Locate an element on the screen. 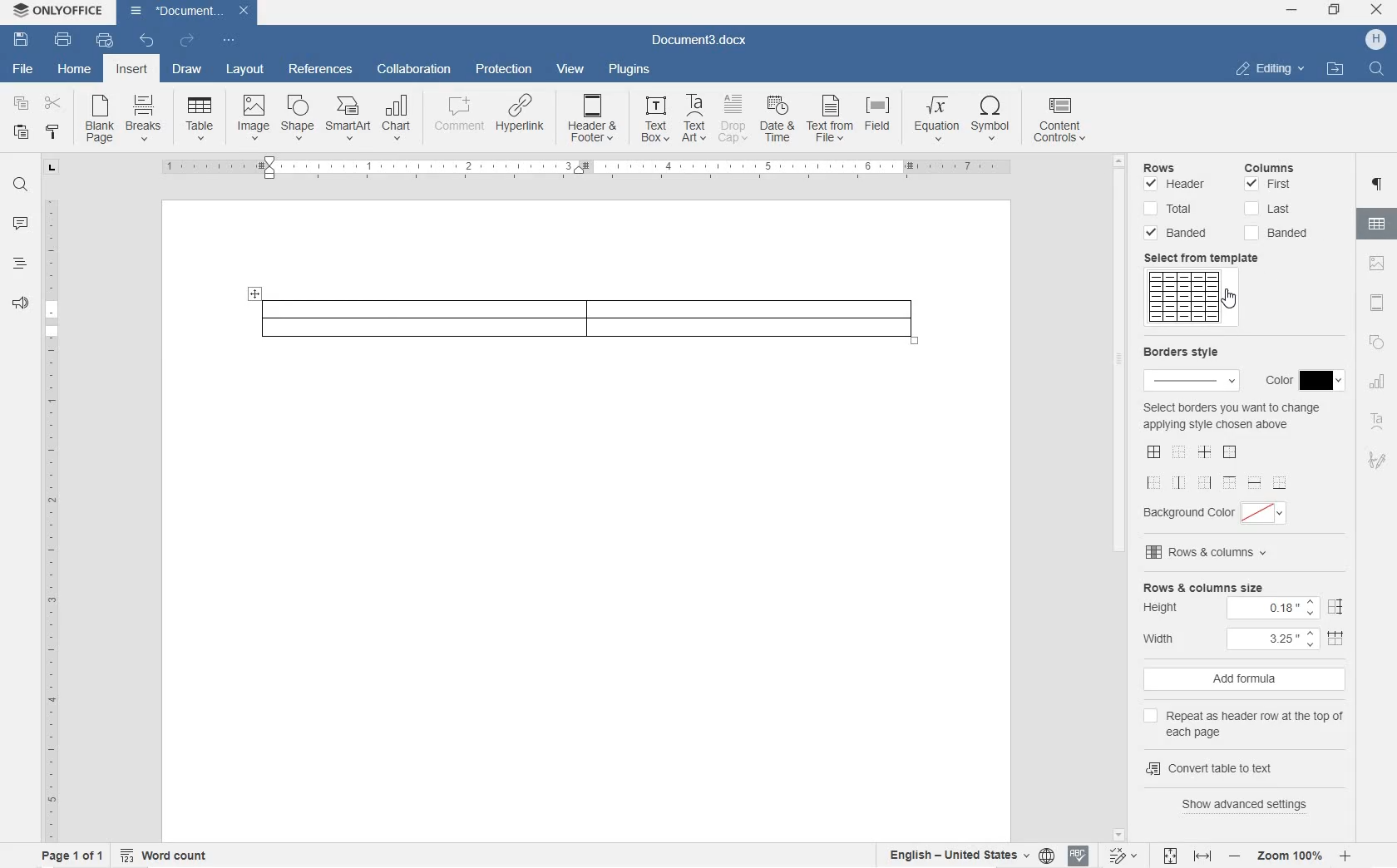 The image size is (1397, 868). FILE is located at coordinates (19, 69).